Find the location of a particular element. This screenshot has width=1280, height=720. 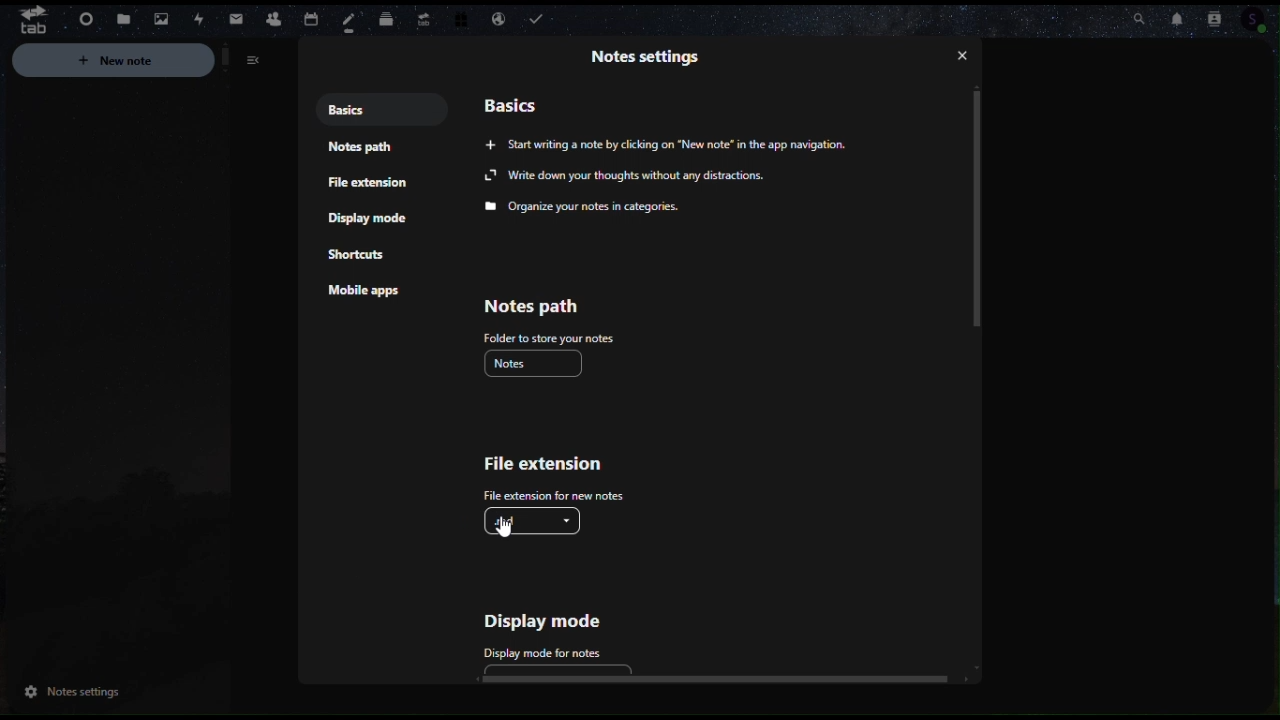

organize your noes in categories is located at coordinates (588, 207).